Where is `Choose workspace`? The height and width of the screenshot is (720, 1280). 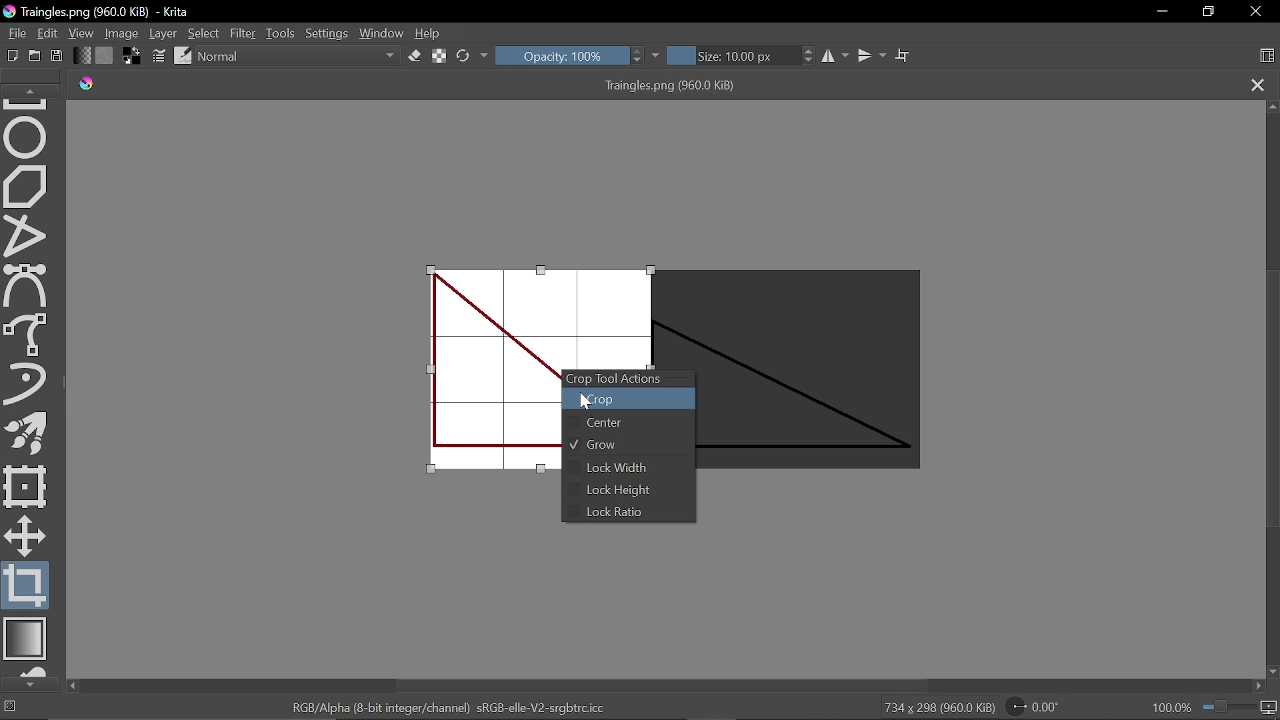
Choose workspace is located at coordinates (1267, 57).